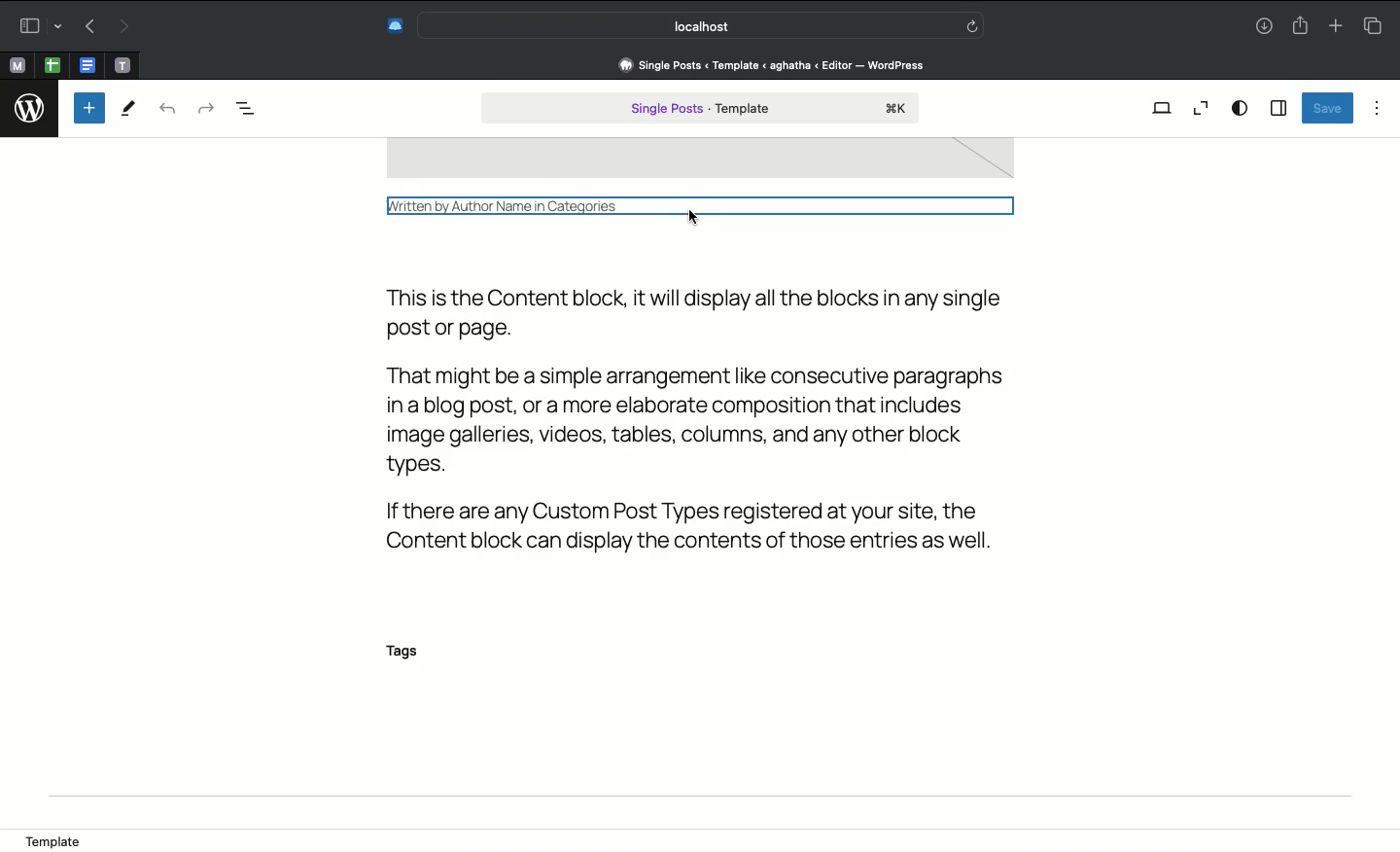 This screenshot has height=852, width=1400. Describe the element at coordinates (1261, 27) in the screenshot. I see `Download` at that location.